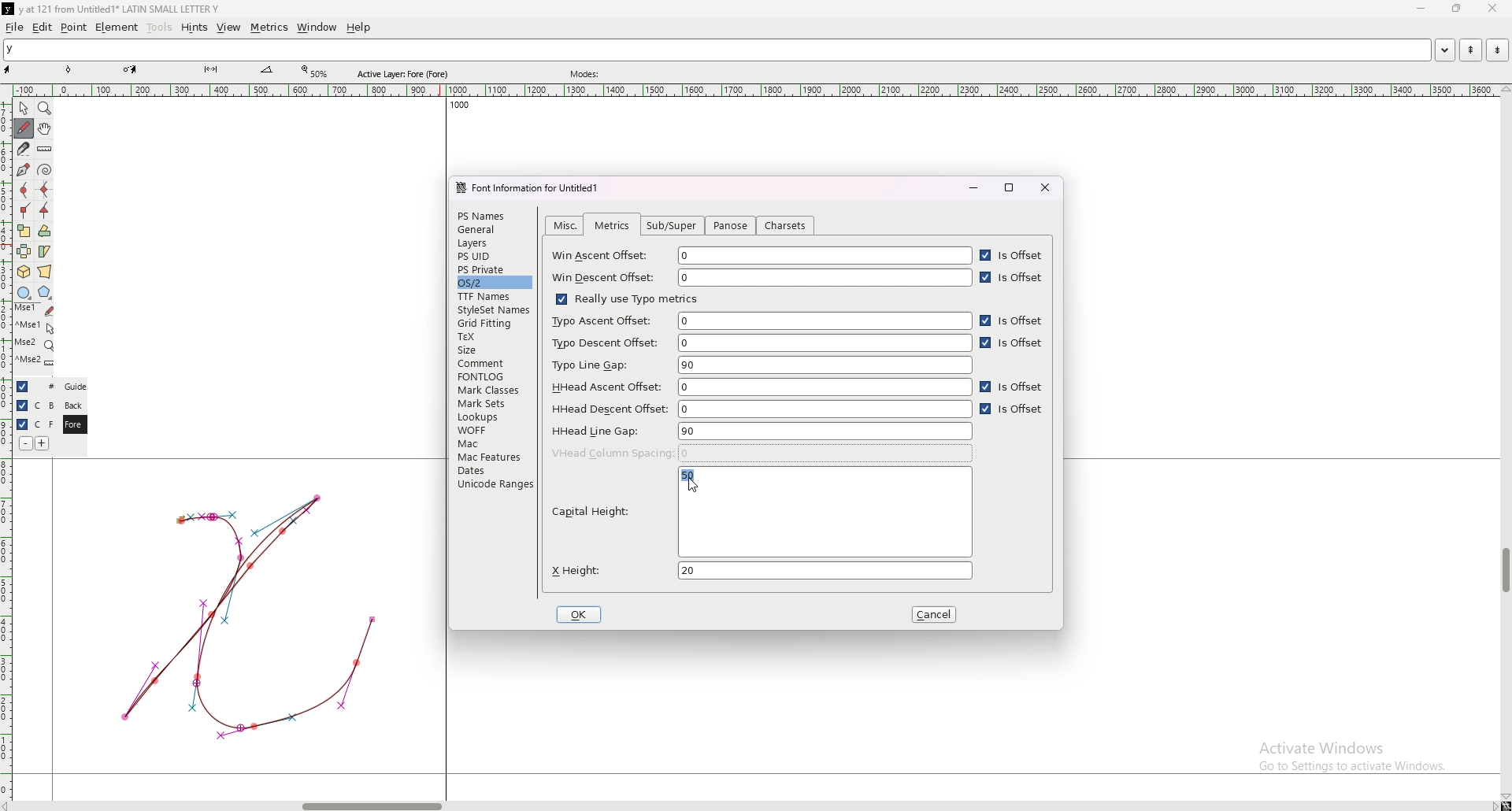  What do you see at coordinates (267, 70) in the screenshot?
I see `measurement tool` at bounding box center [267, 70].